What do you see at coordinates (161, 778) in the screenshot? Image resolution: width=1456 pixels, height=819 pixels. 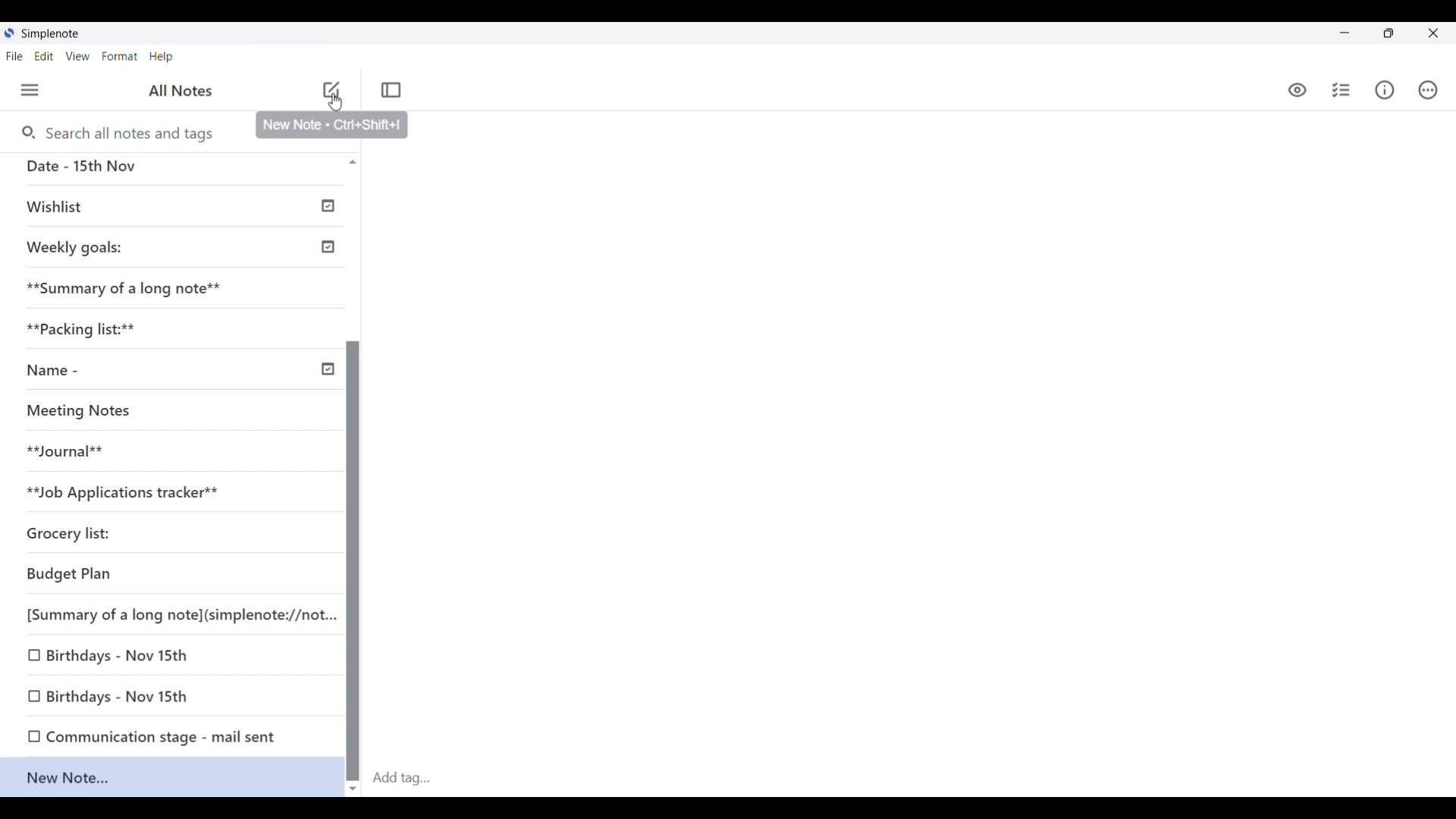 I see `New Note...` at bounding box center [161, 778].